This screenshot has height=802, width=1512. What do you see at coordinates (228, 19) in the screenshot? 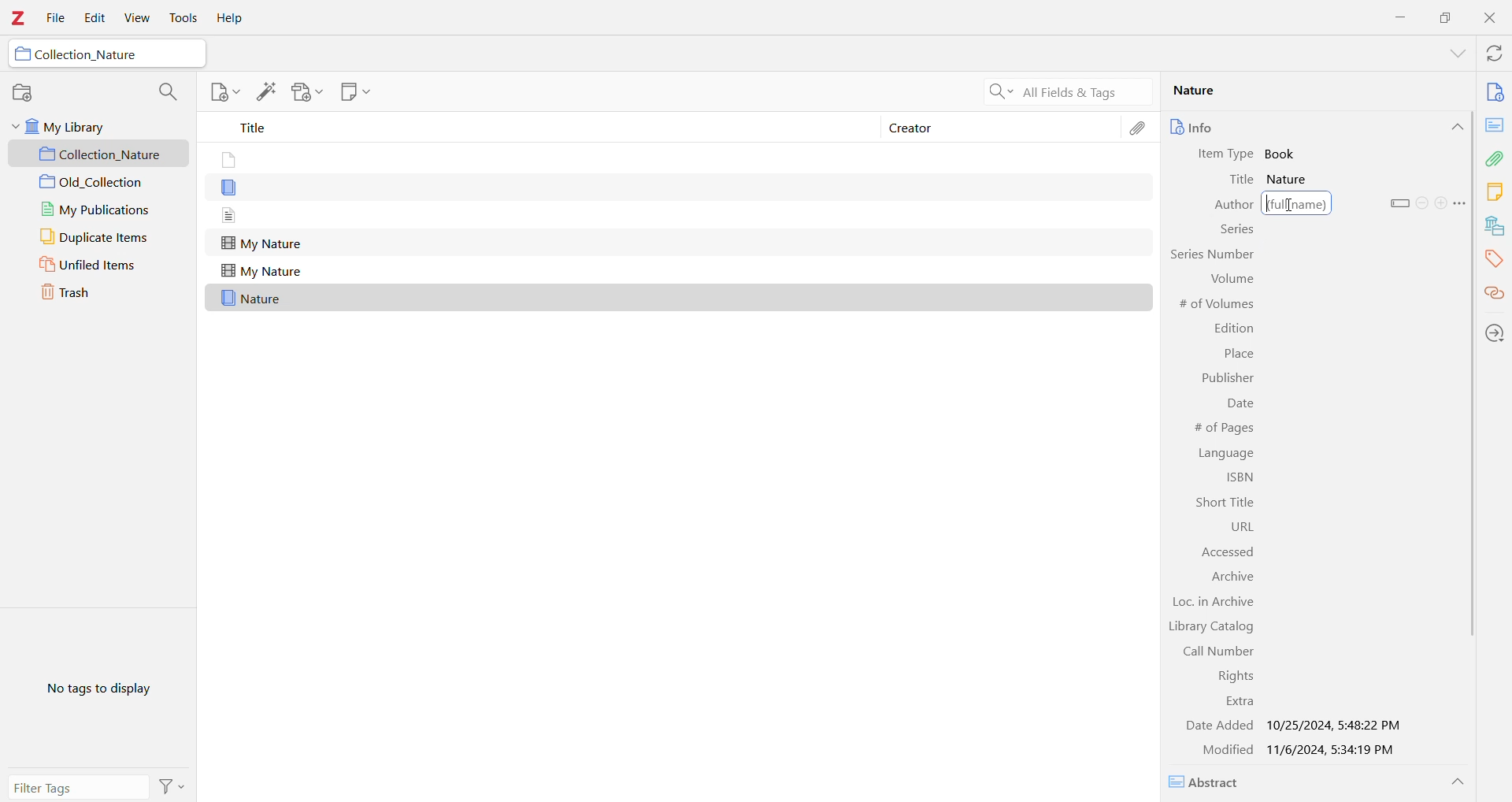
I see `Help` at bounding box center [228, 19].